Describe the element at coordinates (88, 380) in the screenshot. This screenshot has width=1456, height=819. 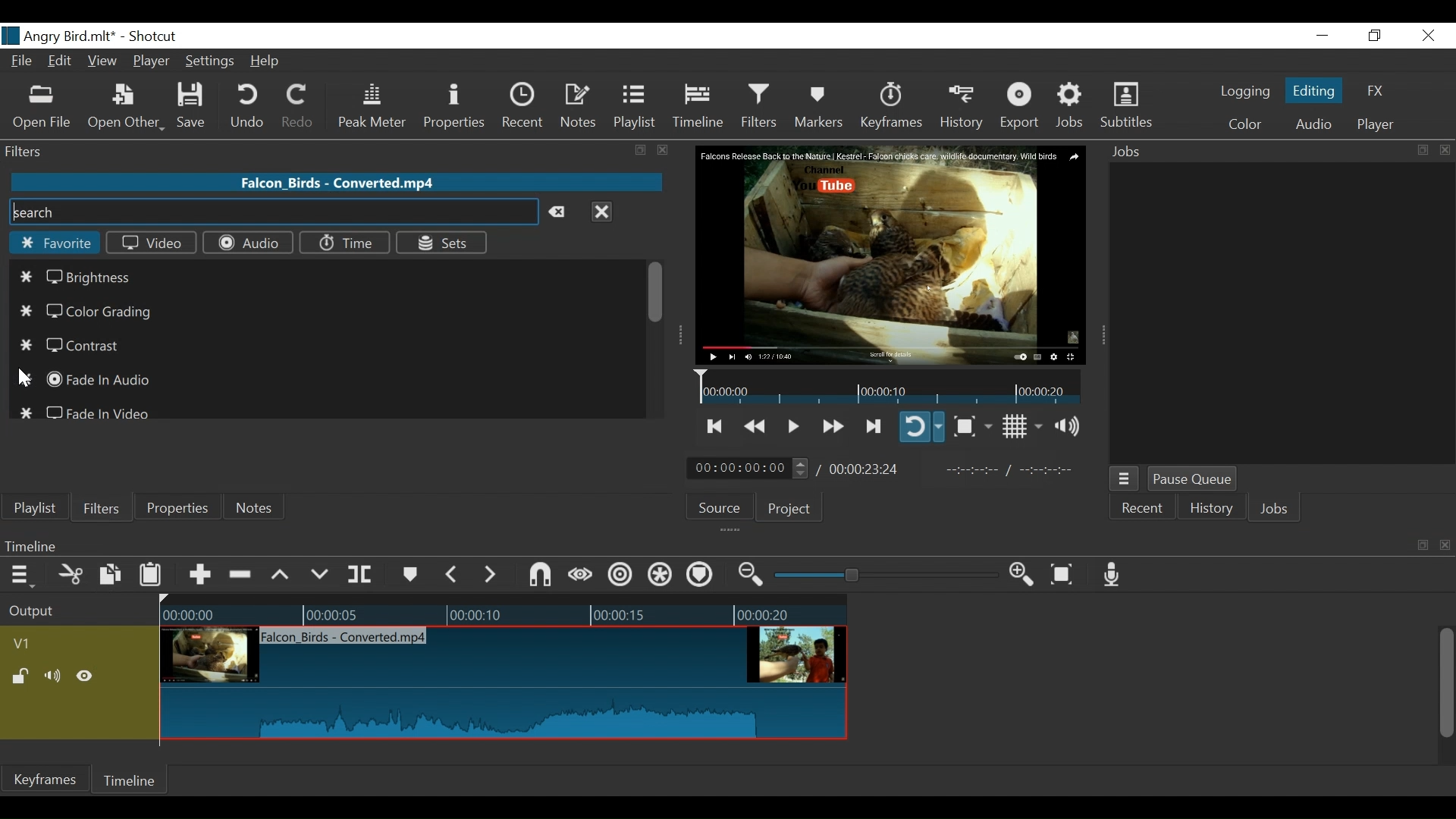
I see `Fade in Audio` at that location.